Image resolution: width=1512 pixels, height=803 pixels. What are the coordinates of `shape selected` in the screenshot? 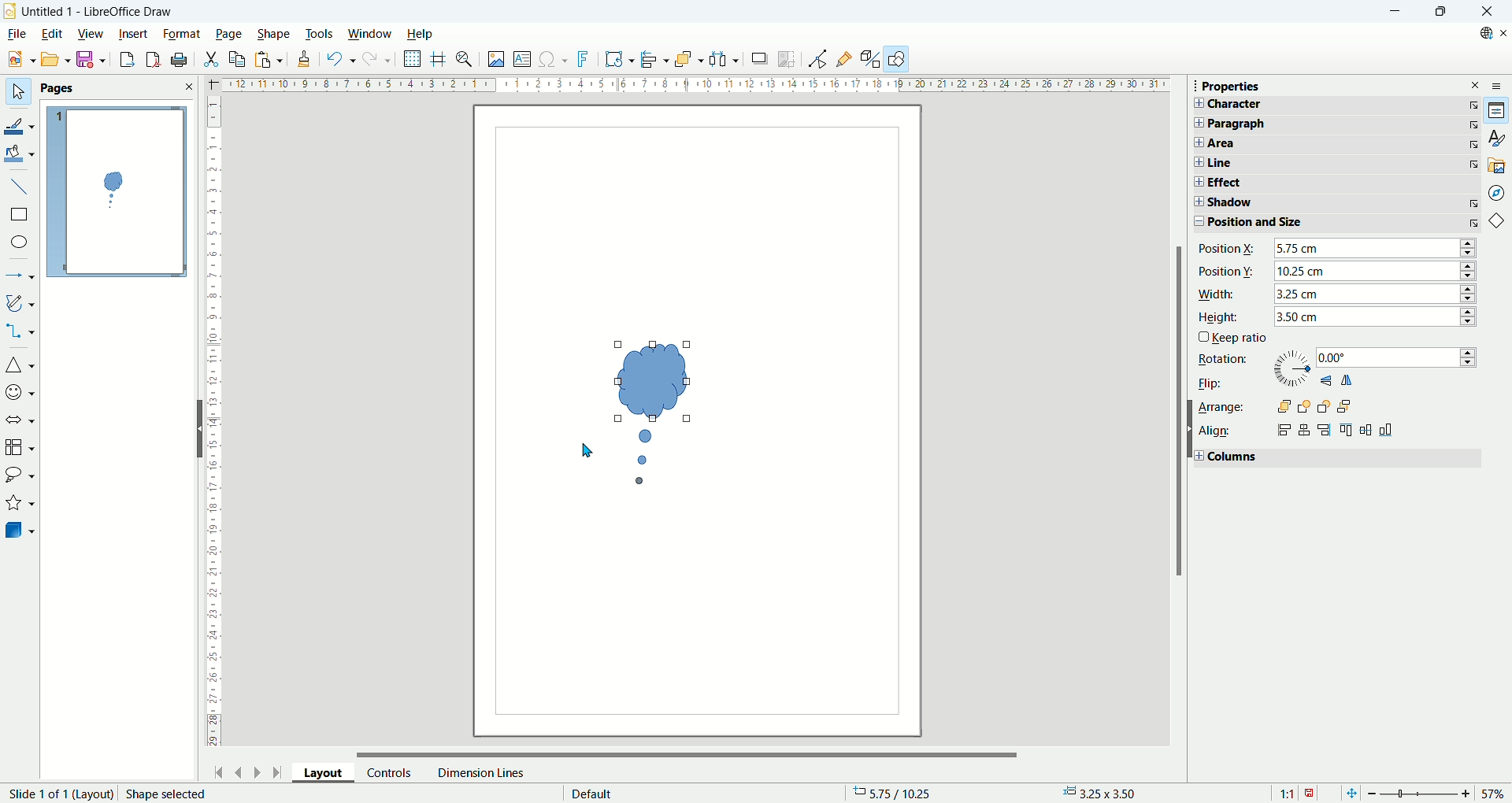 It's located at (167, 794).